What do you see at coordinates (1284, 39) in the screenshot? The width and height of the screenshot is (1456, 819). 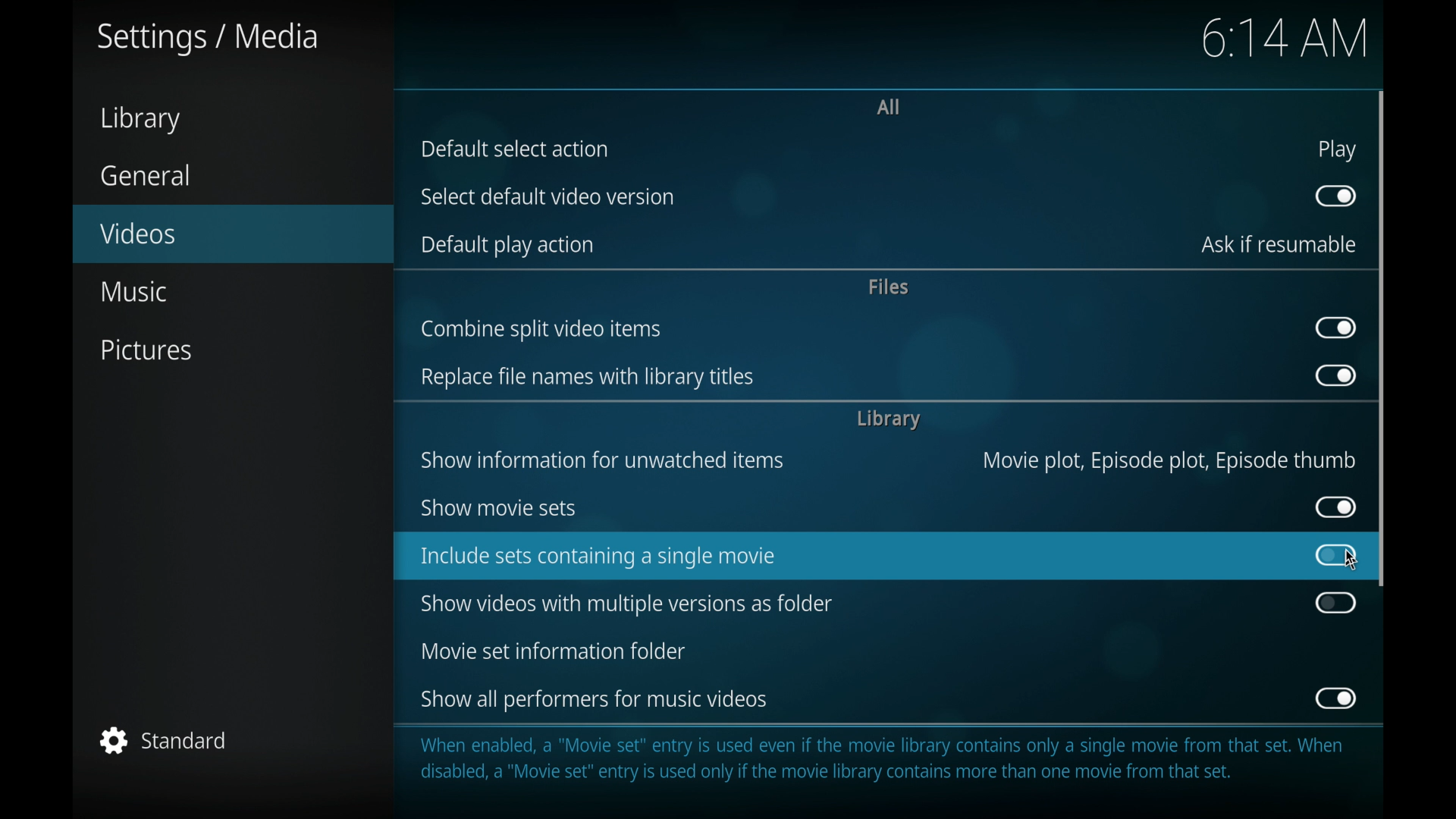 I see `time` at bounding box center [1284, 39].